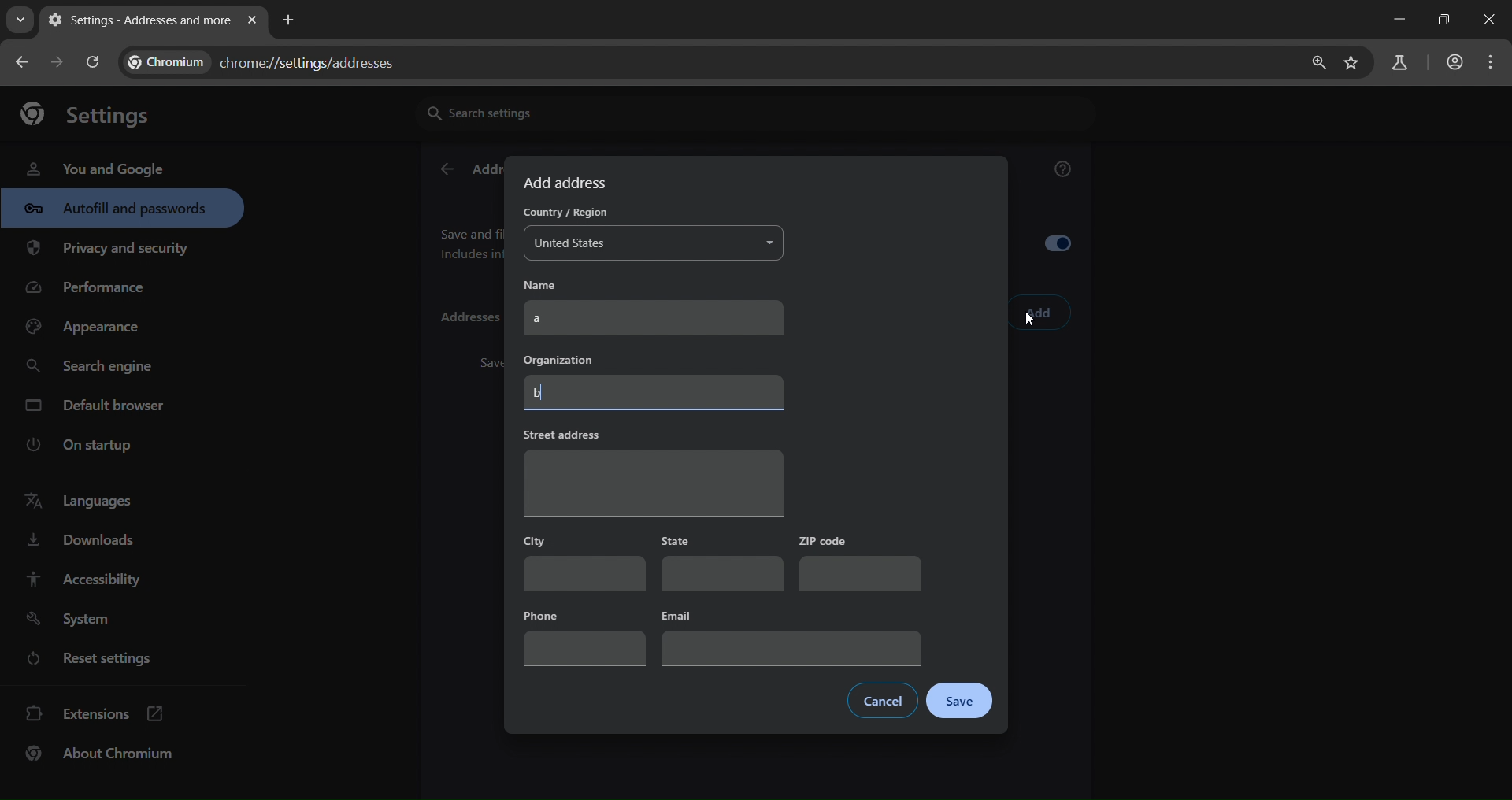 The width and height of the screenshot is (1512, 800). I want to click on close tab, so click(252, 21).